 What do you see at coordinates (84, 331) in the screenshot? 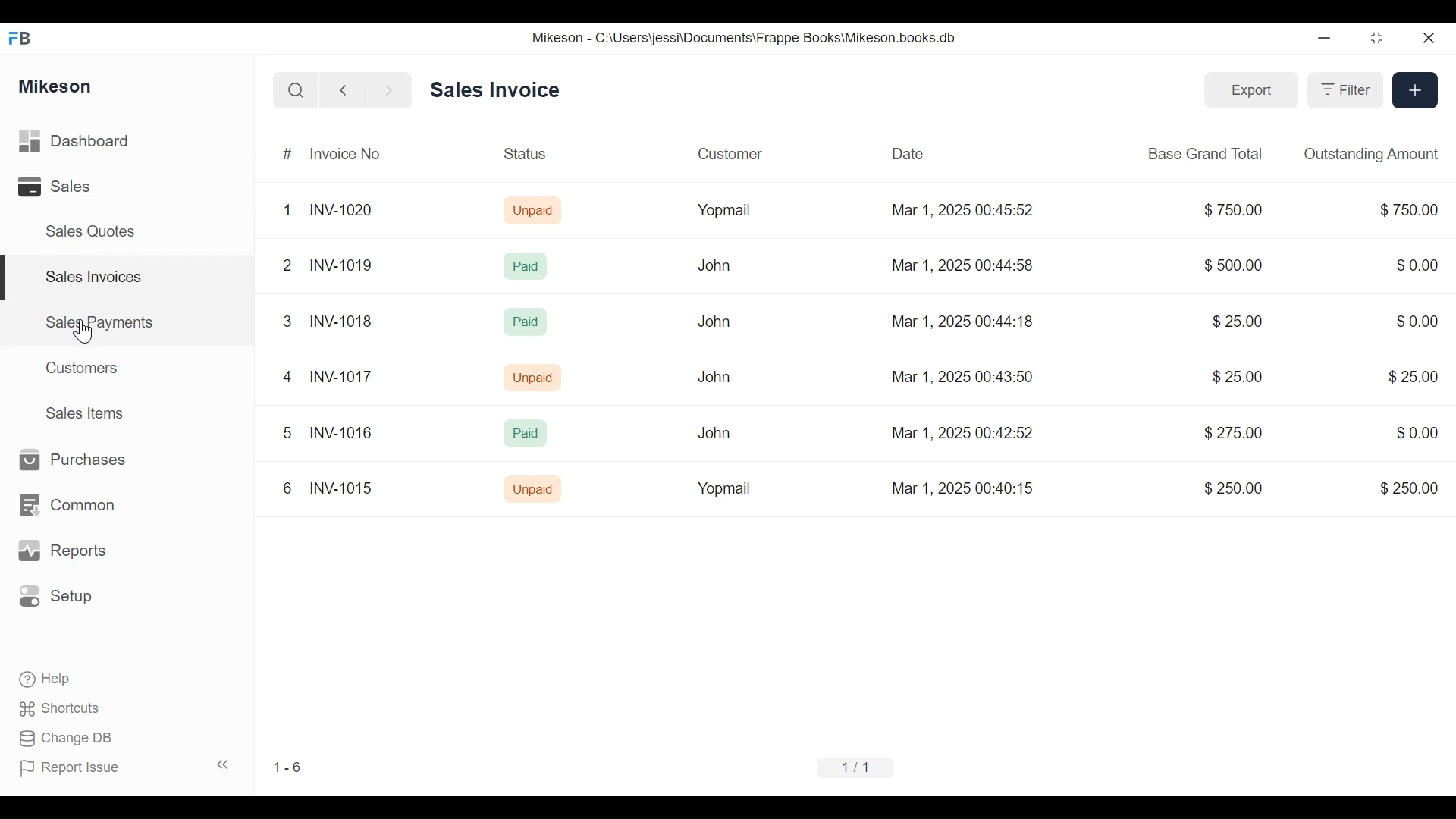
I see `cursor` at bounding box center [84, 331].